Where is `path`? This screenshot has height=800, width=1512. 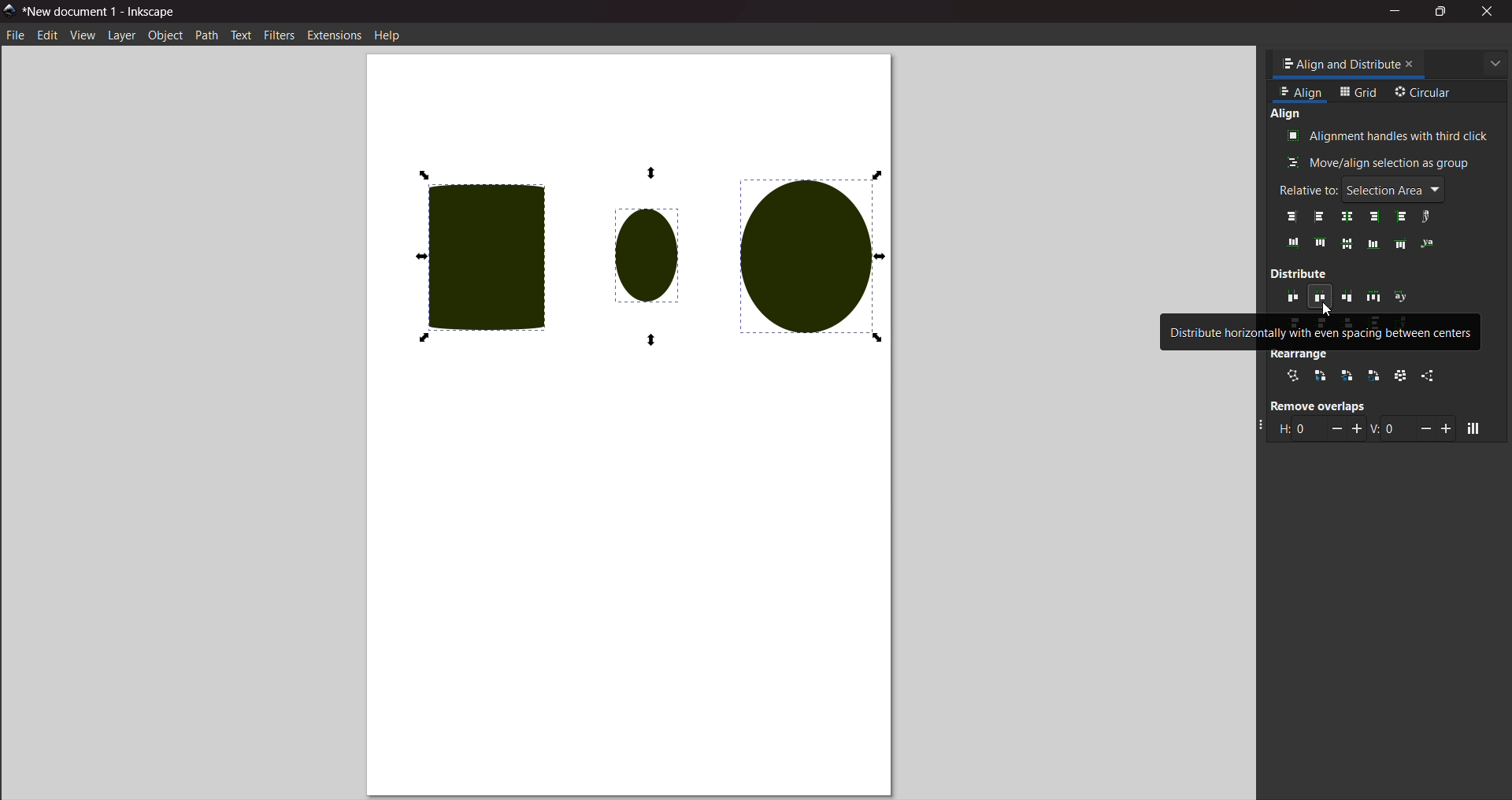
path is located at coordinates (207, 35).